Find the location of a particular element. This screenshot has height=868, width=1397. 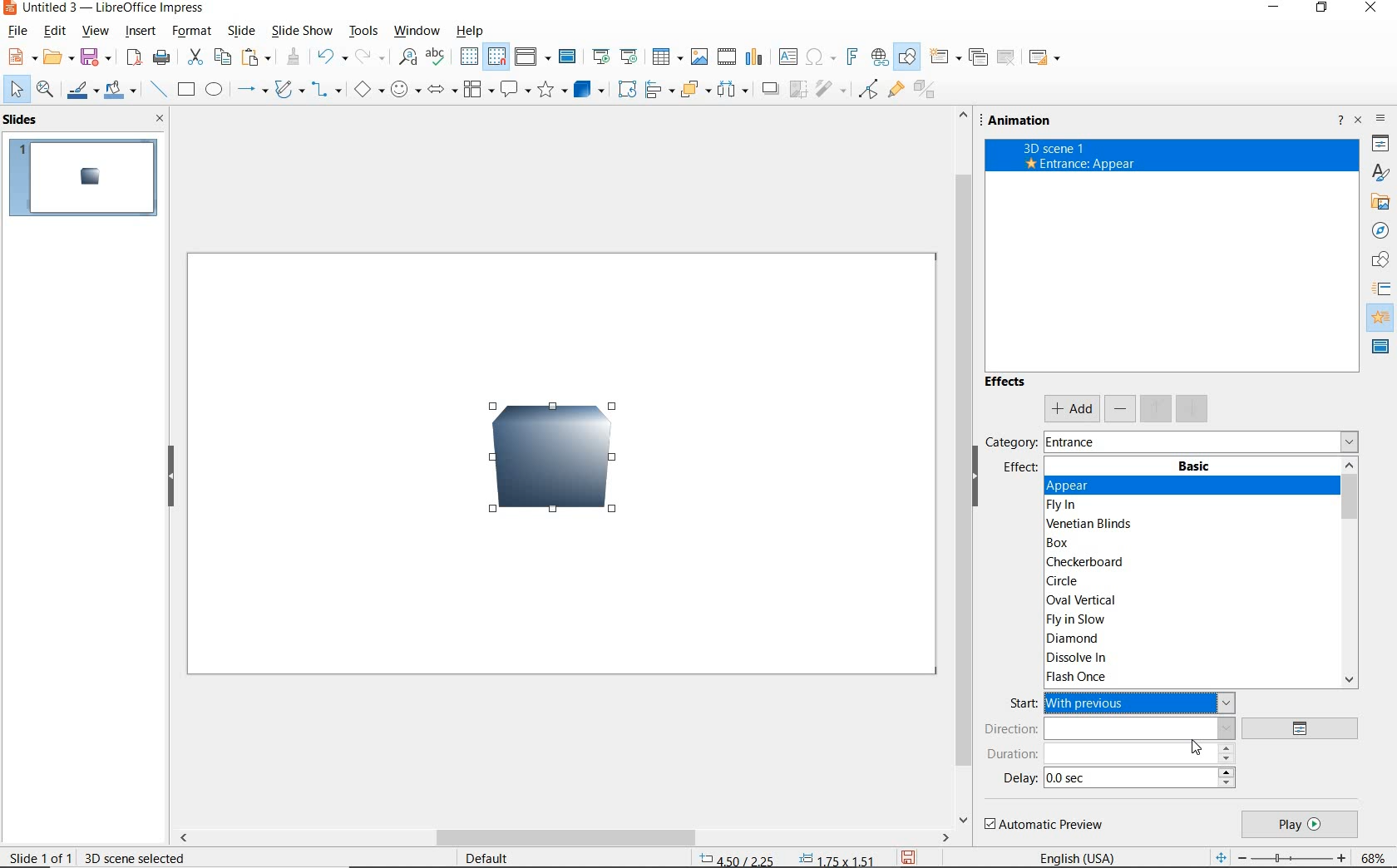

DIAMOND is located at coordinates (1074, 640).